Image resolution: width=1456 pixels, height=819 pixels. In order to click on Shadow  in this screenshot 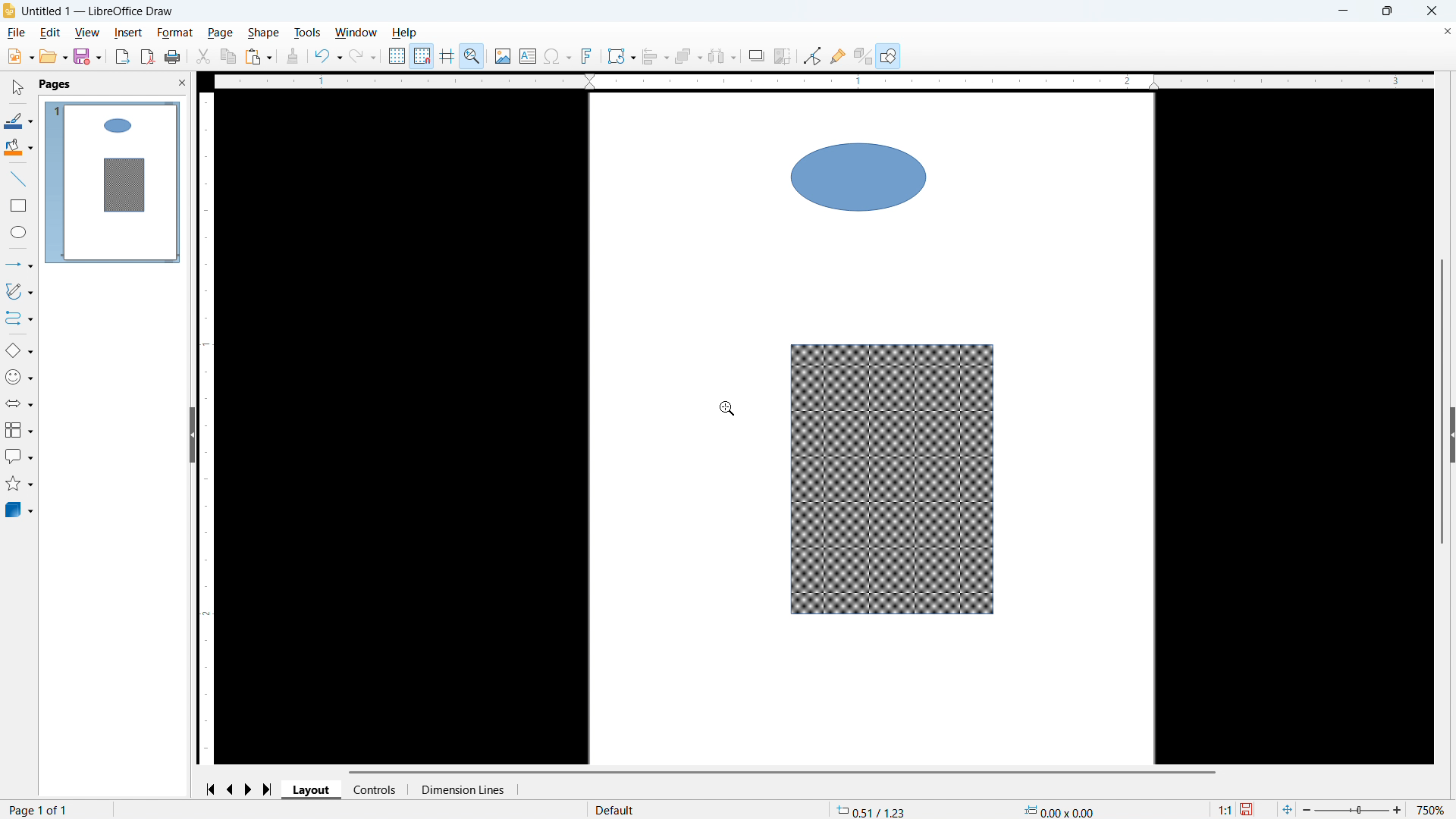, I will do `click(756, 55)`.